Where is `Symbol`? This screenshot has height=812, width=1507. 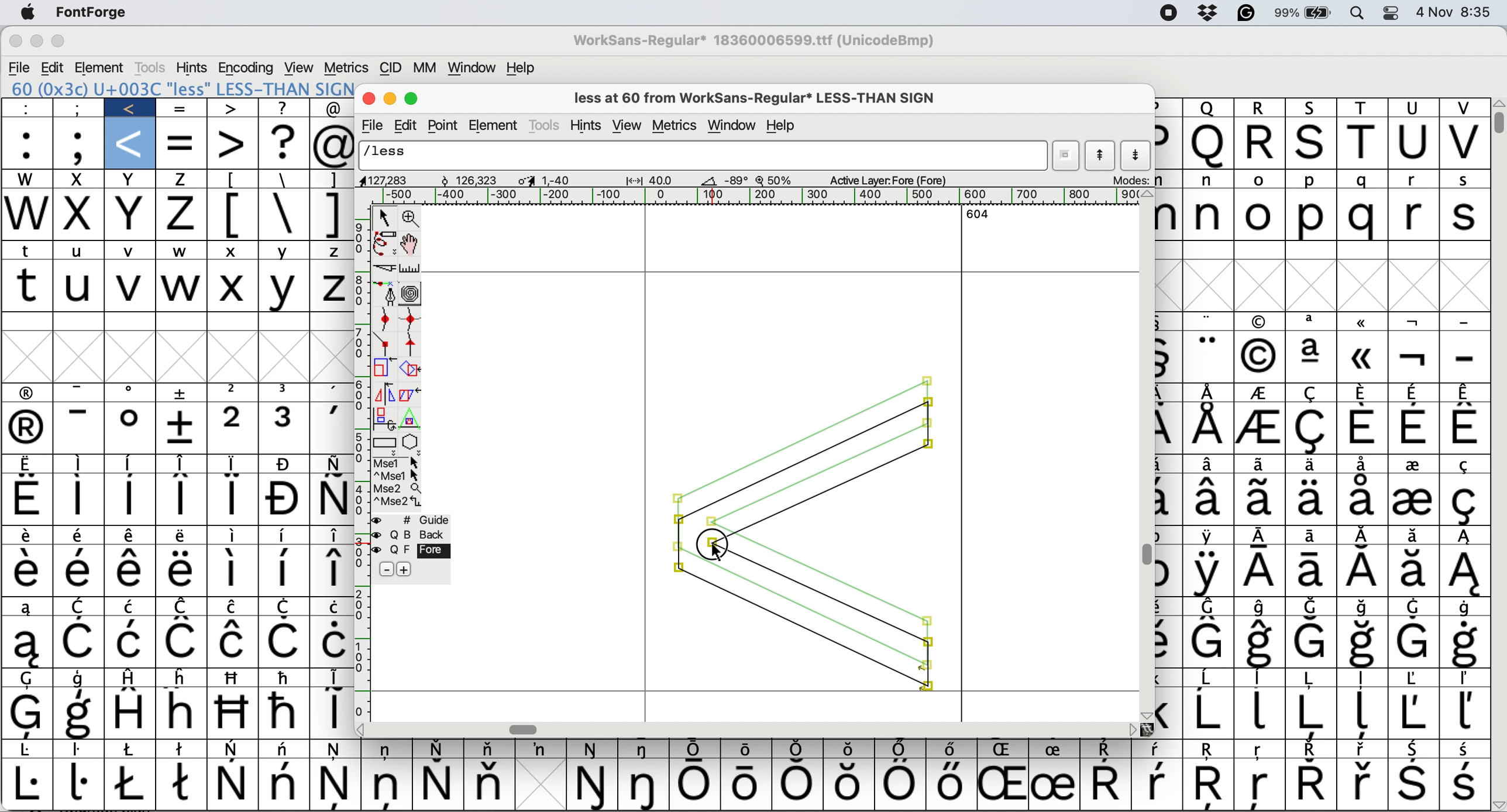 Symbol is located at coordinates (1313, 463).